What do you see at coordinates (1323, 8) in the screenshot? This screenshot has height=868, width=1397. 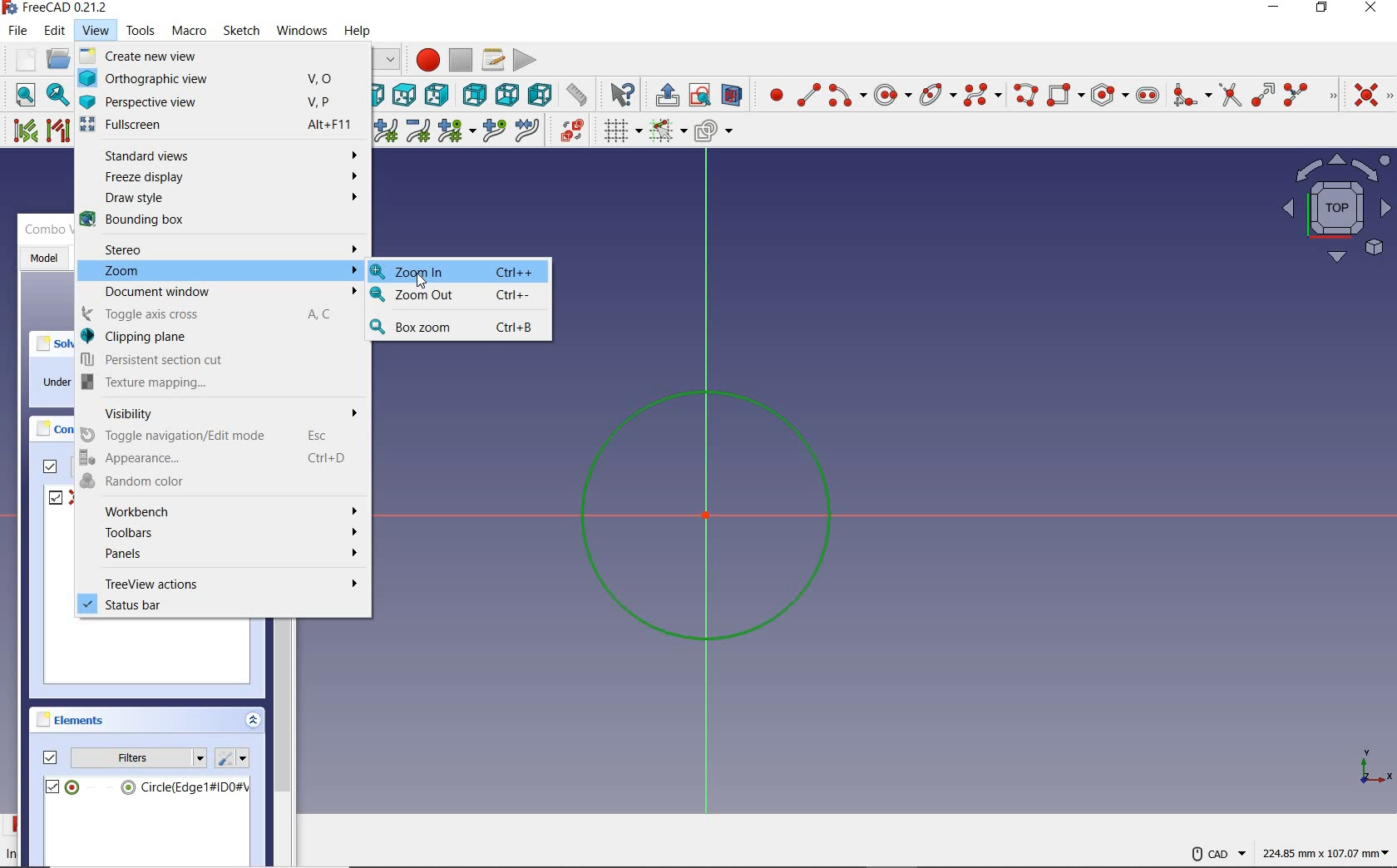 I see `restore` at bounding box center [1323, 8].